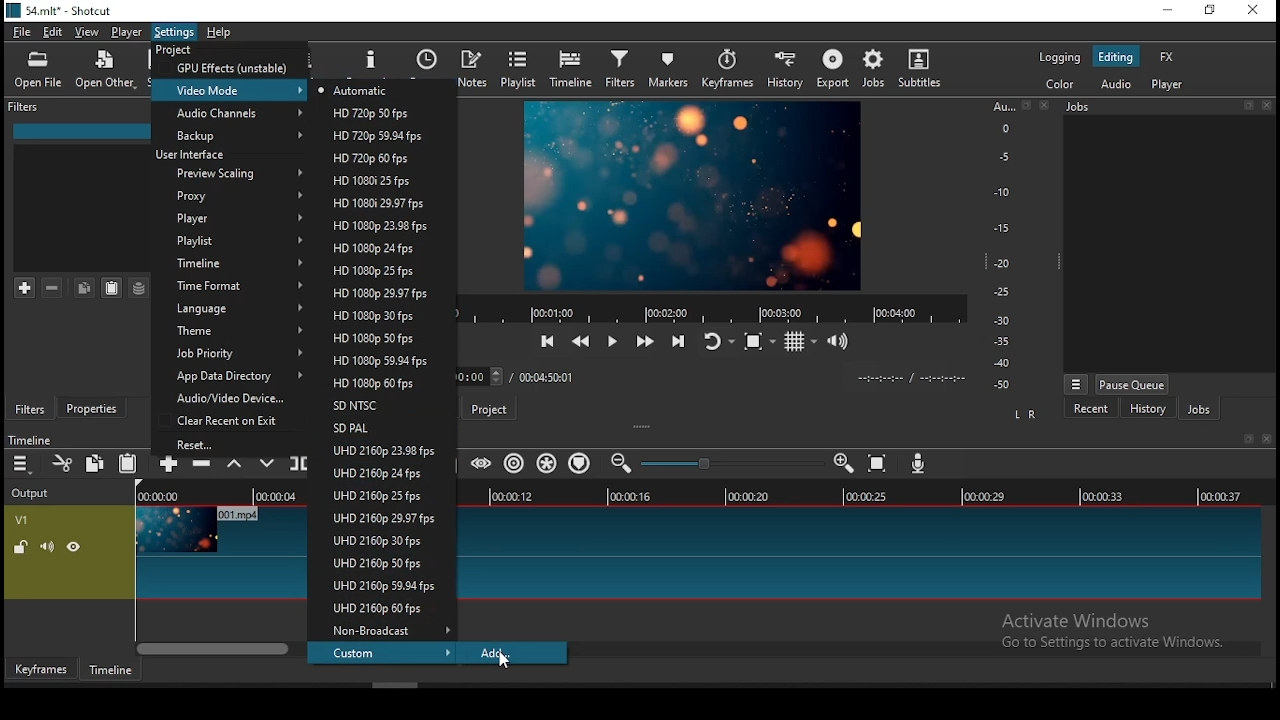 This screenshot has height=720, width=1280. Describe the element at coordinates (1091, 409) in the screenshot. I see `recent` at that location.